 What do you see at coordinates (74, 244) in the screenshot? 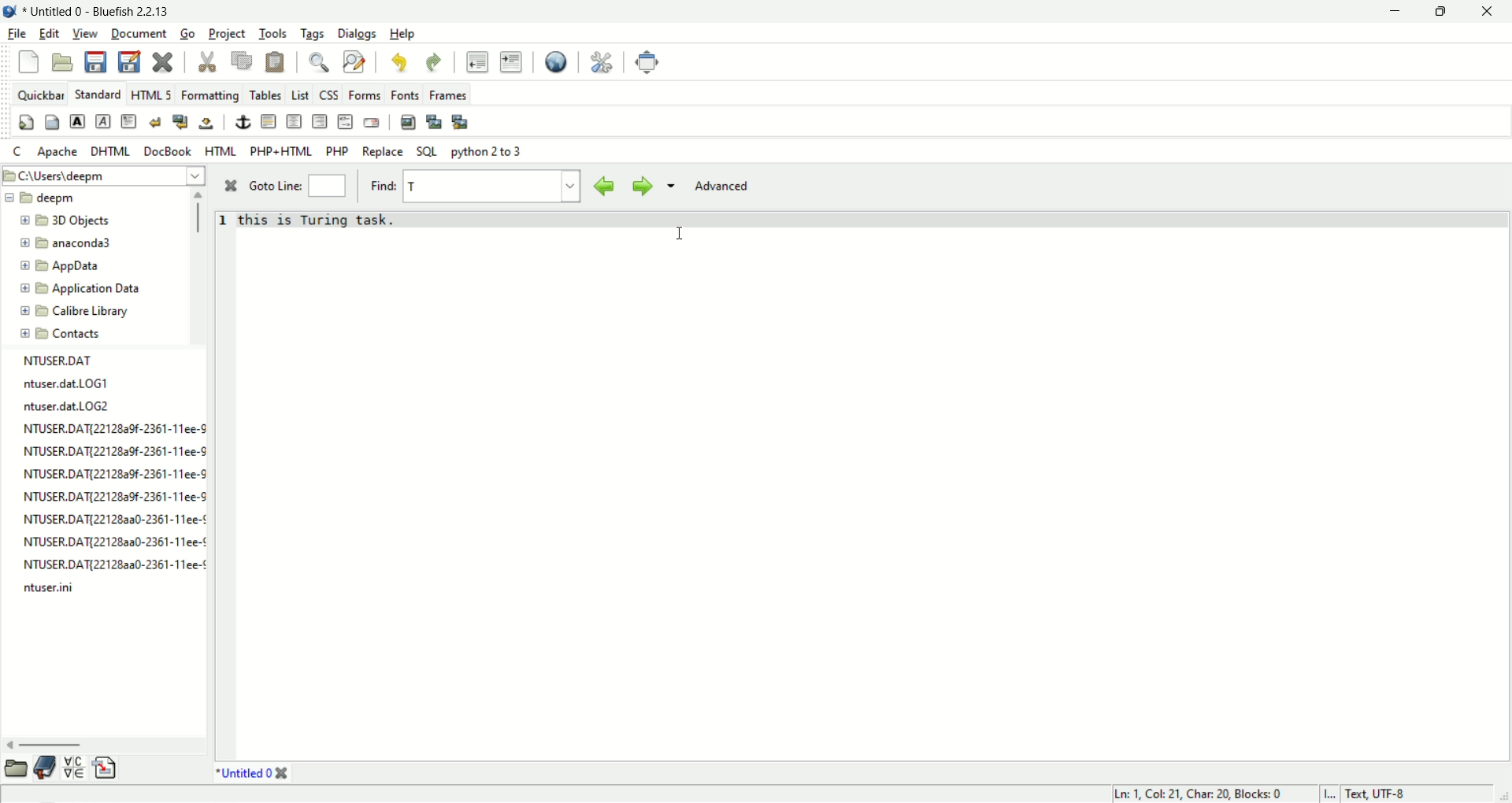
I see `folder name` at bounding box center [74, 244].